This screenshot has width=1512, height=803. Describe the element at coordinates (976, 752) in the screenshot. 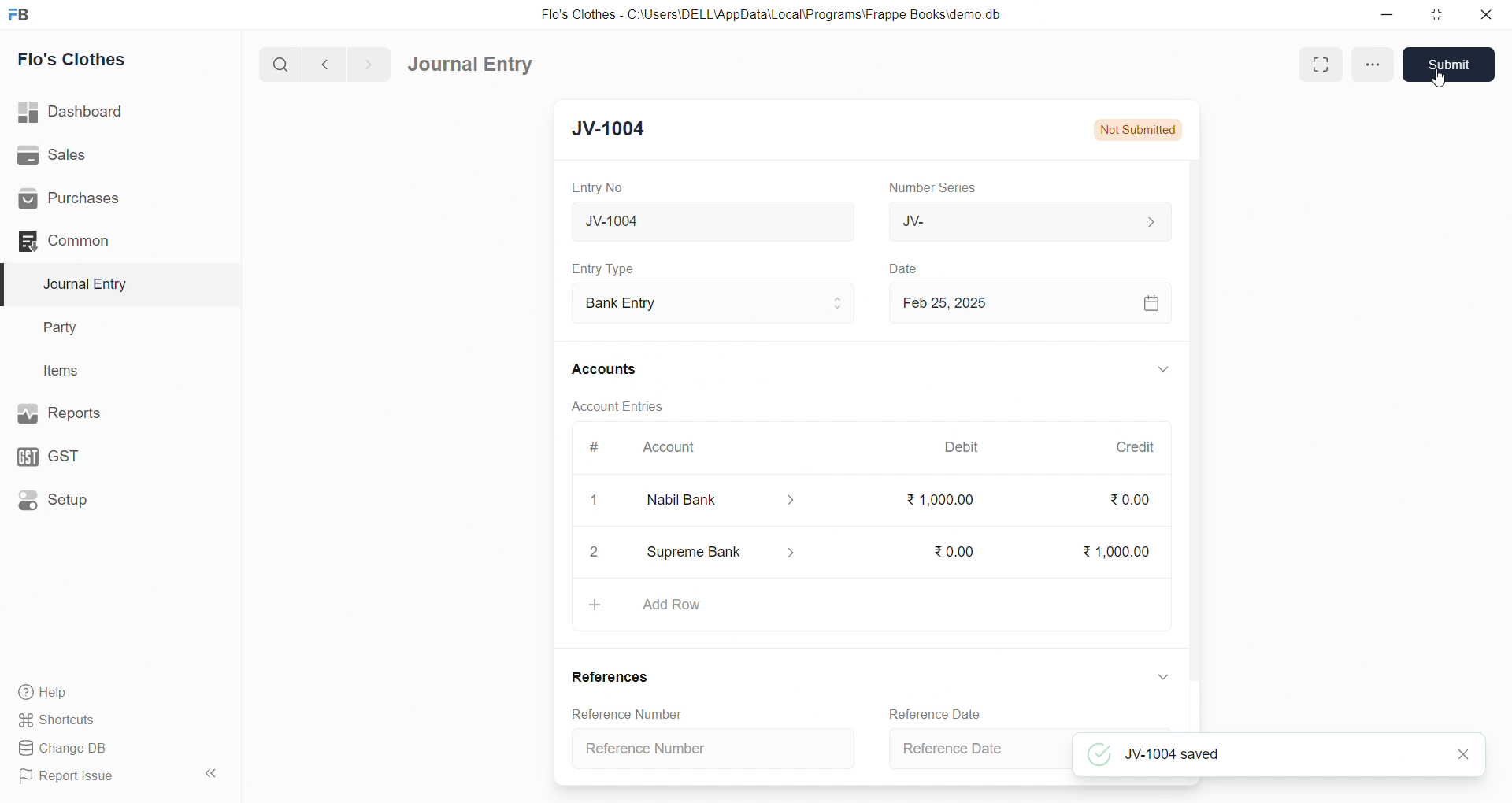

I see `Reference Date` at that location.